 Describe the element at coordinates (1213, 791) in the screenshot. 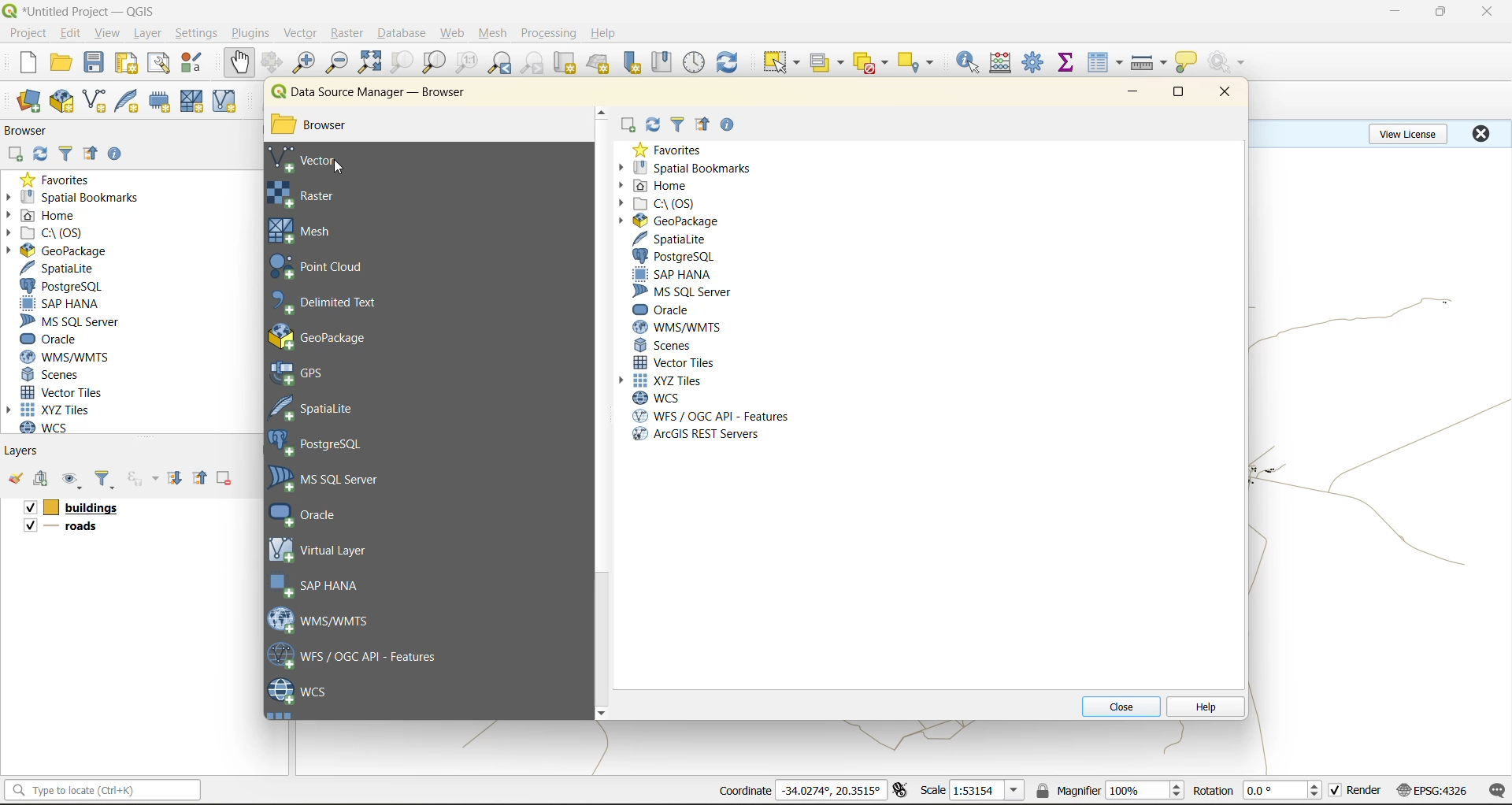

I see `rotation` at that location.